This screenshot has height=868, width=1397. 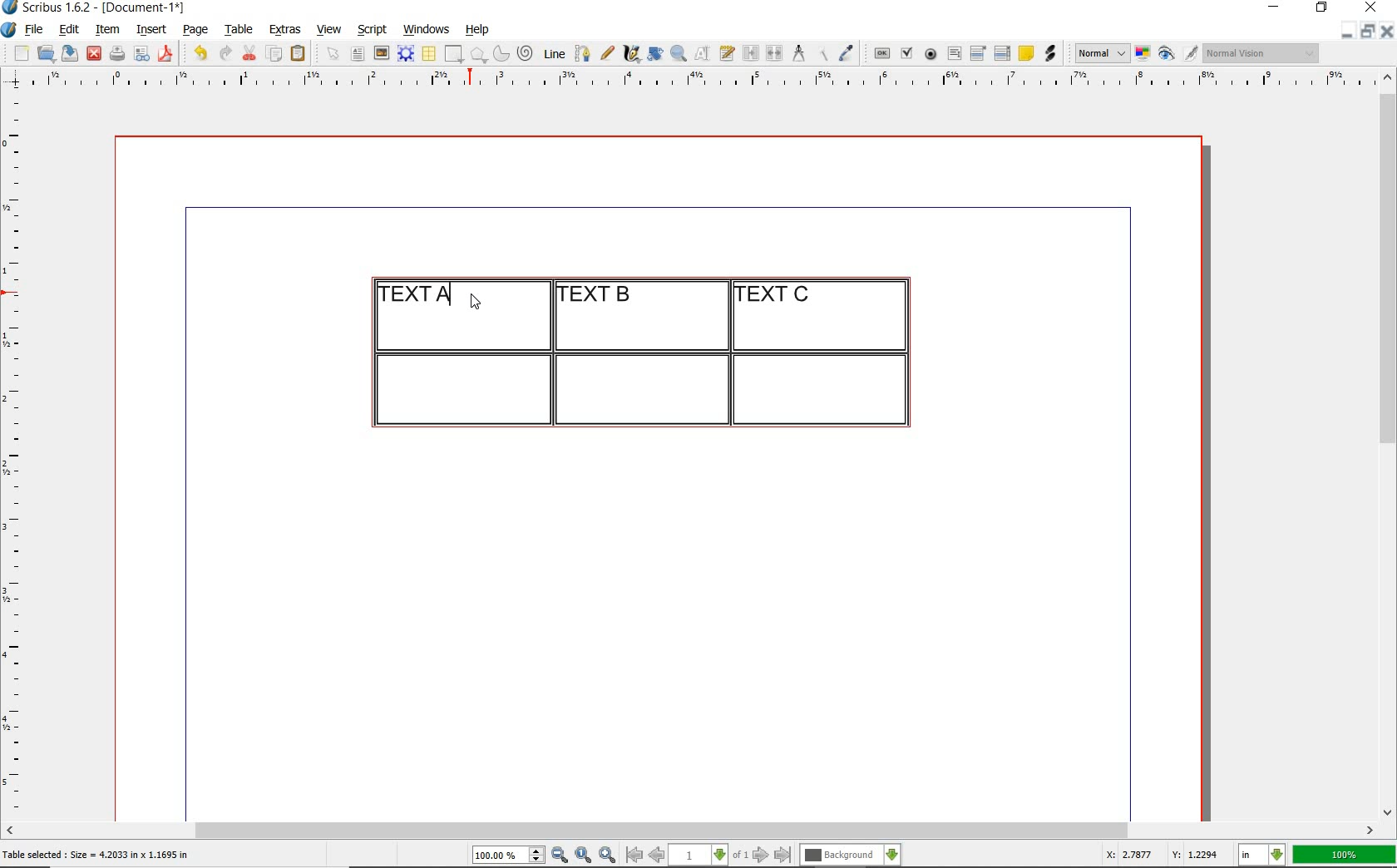 What do you see at coordinates (18, 454) in the screenshot?
I see `ruler` at bounding box center [18, 454].